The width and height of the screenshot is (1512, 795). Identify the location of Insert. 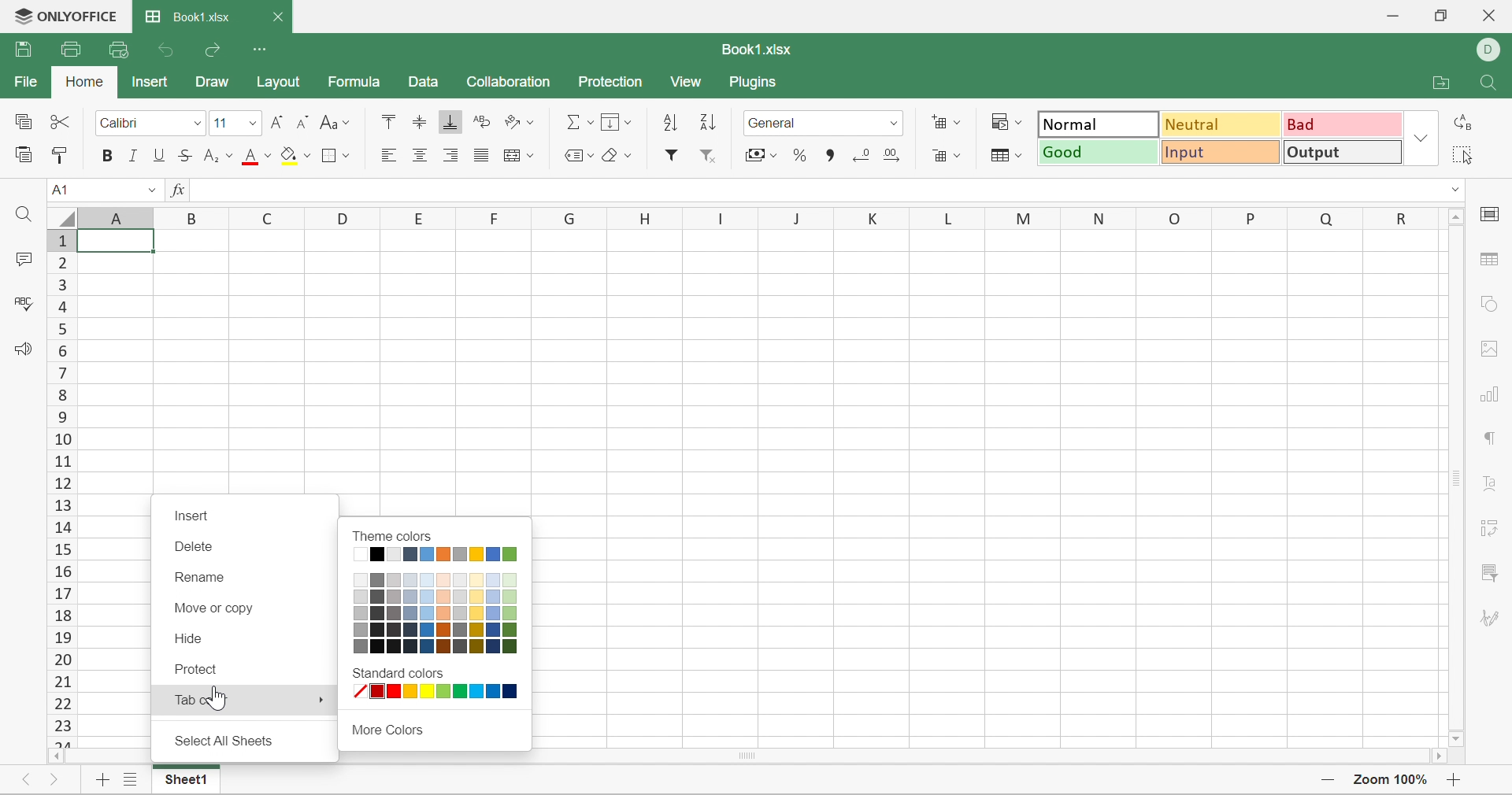
(193, 516).